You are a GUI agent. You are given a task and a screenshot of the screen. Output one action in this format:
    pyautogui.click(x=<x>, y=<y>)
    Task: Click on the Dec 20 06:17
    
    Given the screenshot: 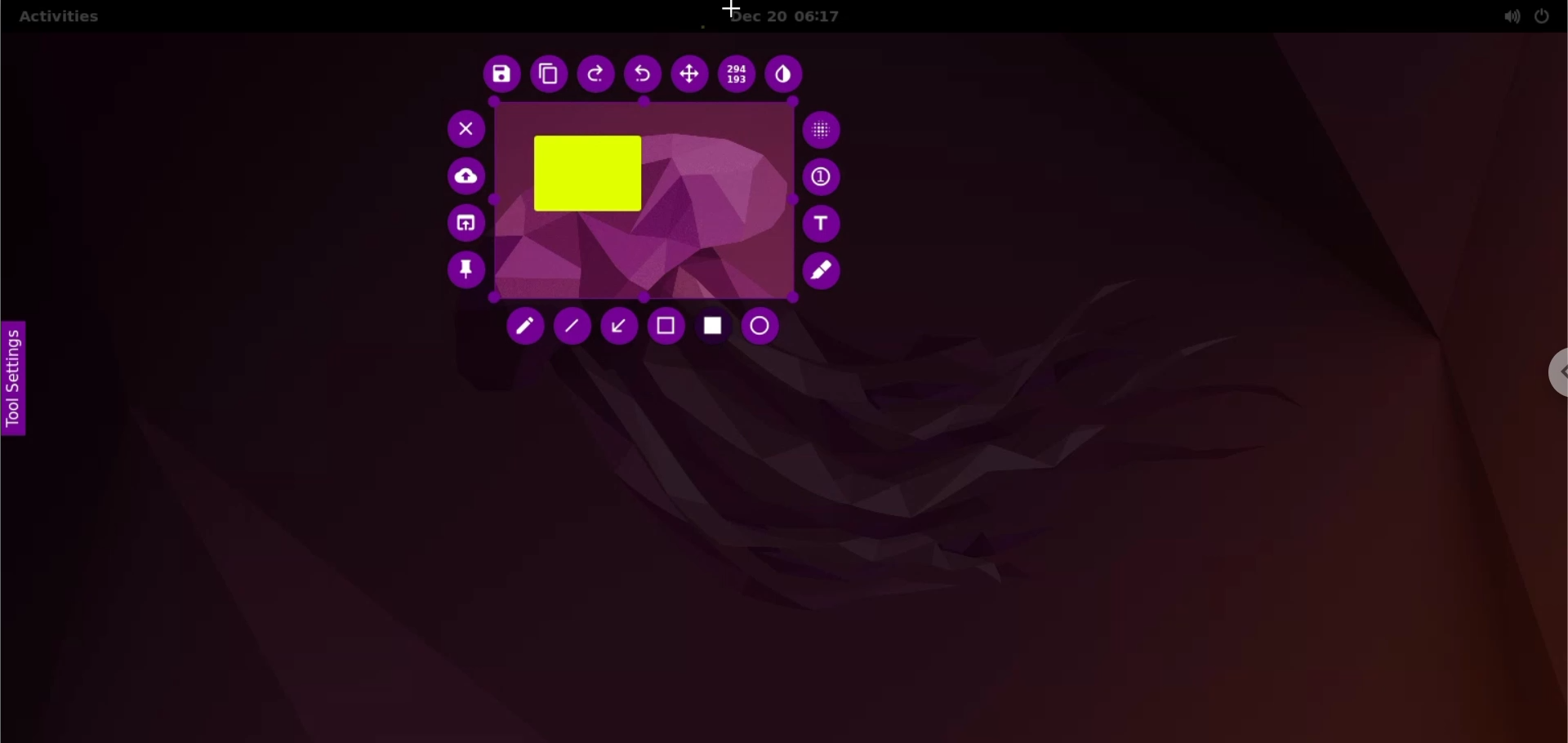 What is the action you would take?
    pyautogui.click(x=798, y=16)
    